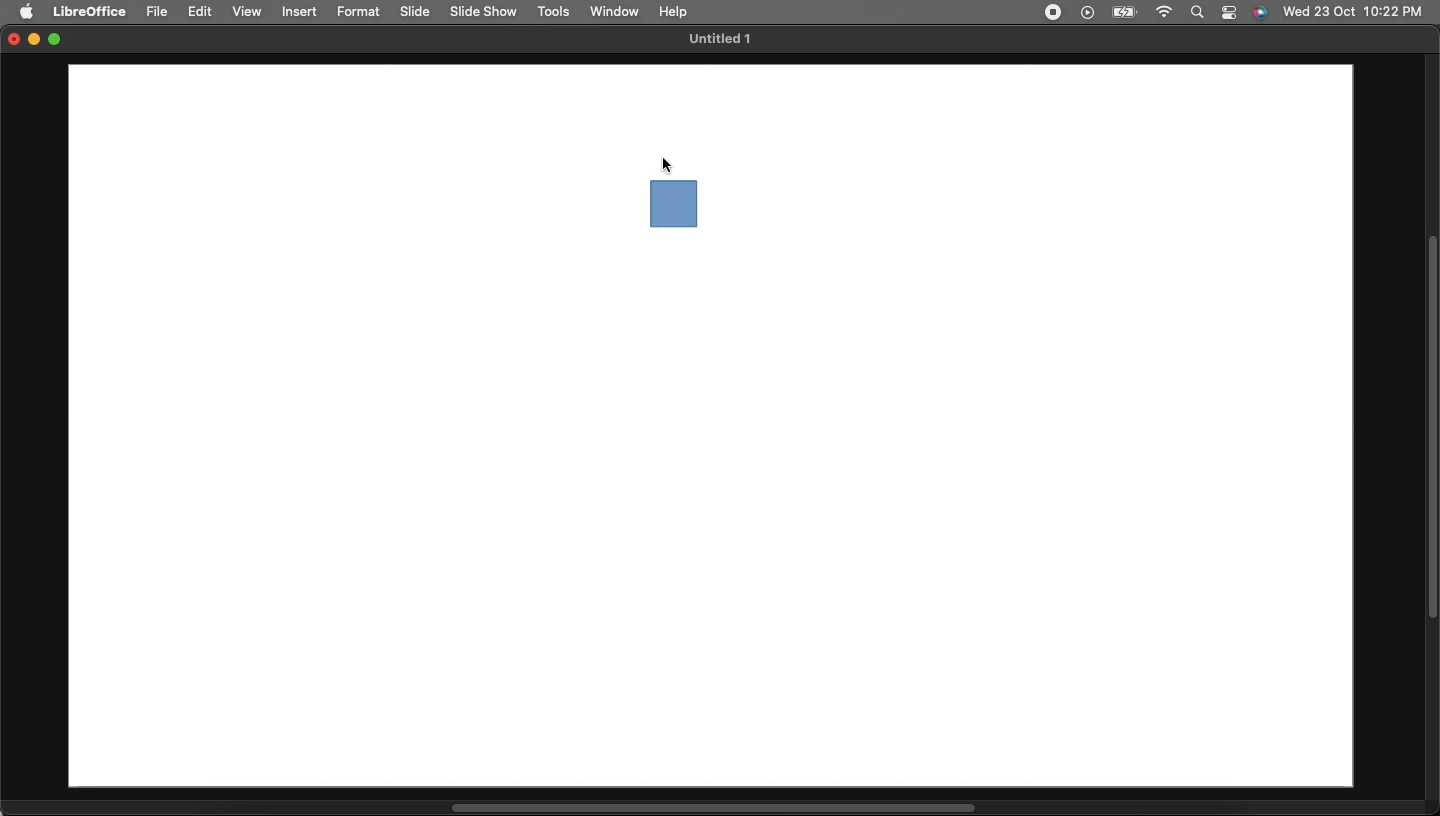 This screenshot has height=816, width=1440. I want to click on LibreOffice, so click(90, 9).